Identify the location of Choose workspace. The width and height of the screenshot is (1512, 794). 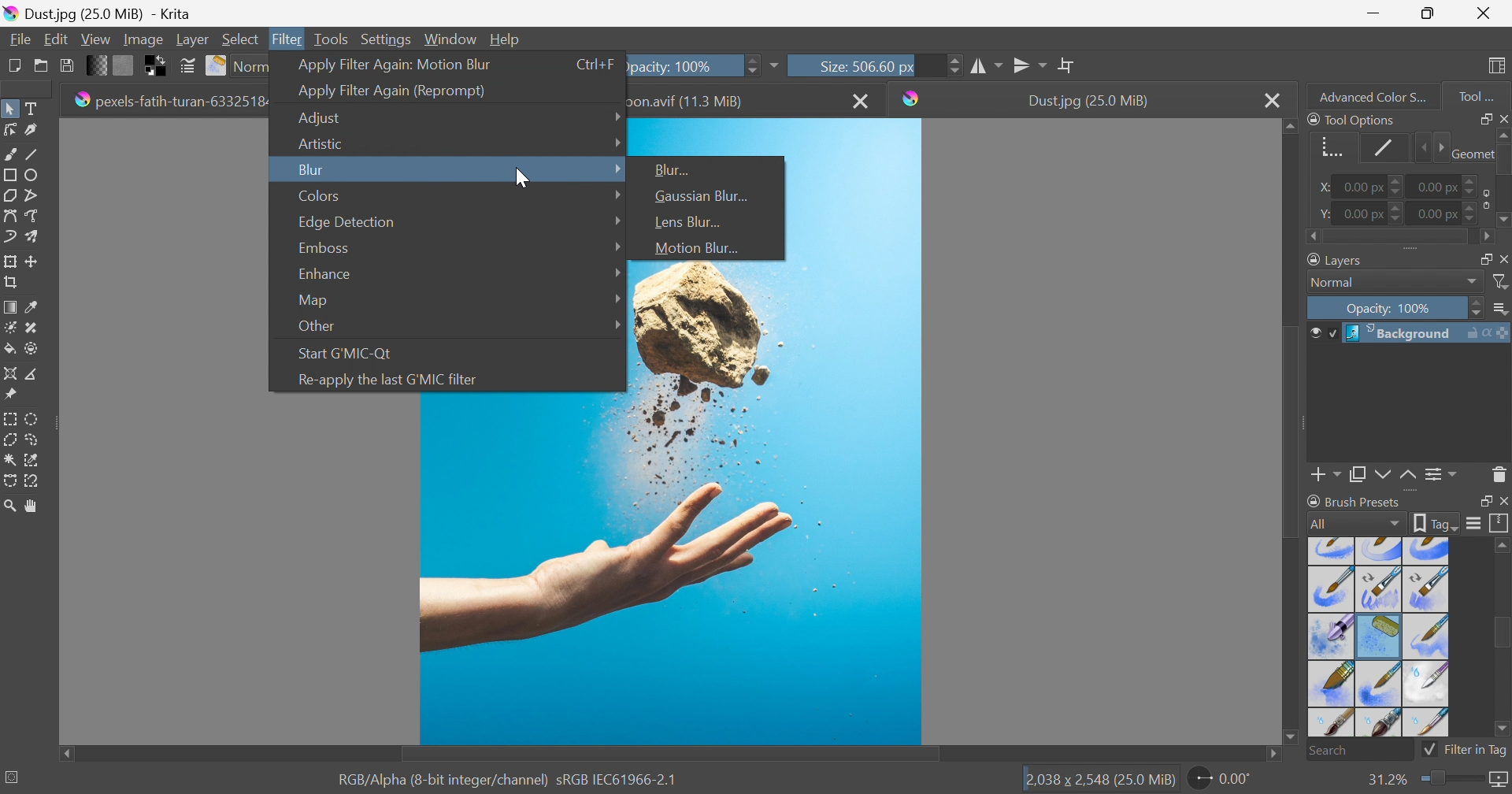
(1499, 66).